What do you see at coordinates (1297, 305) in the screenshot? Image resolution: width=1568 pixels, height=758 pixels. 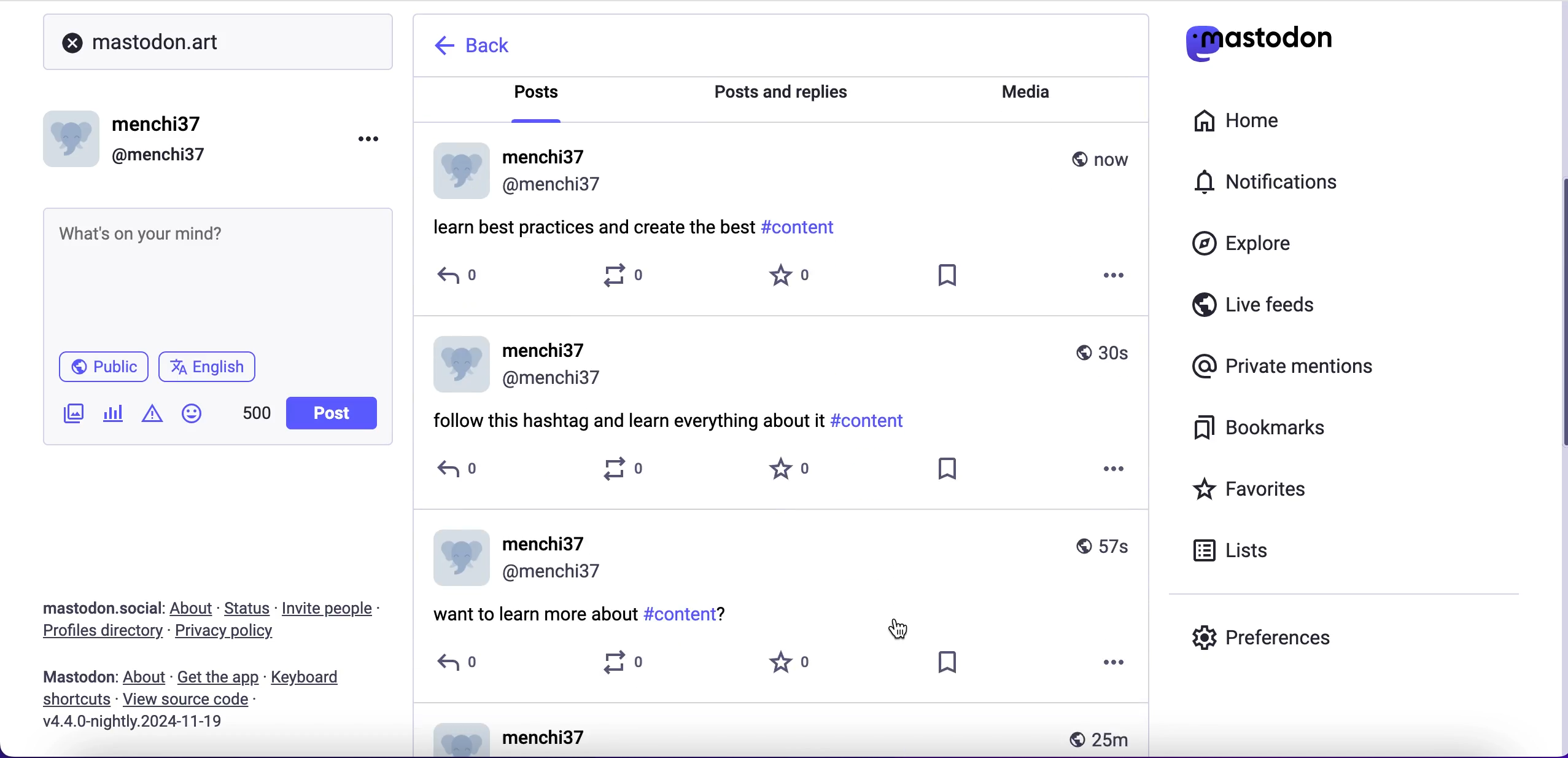 I see `live feeds` at bounding box center [1297, 305].